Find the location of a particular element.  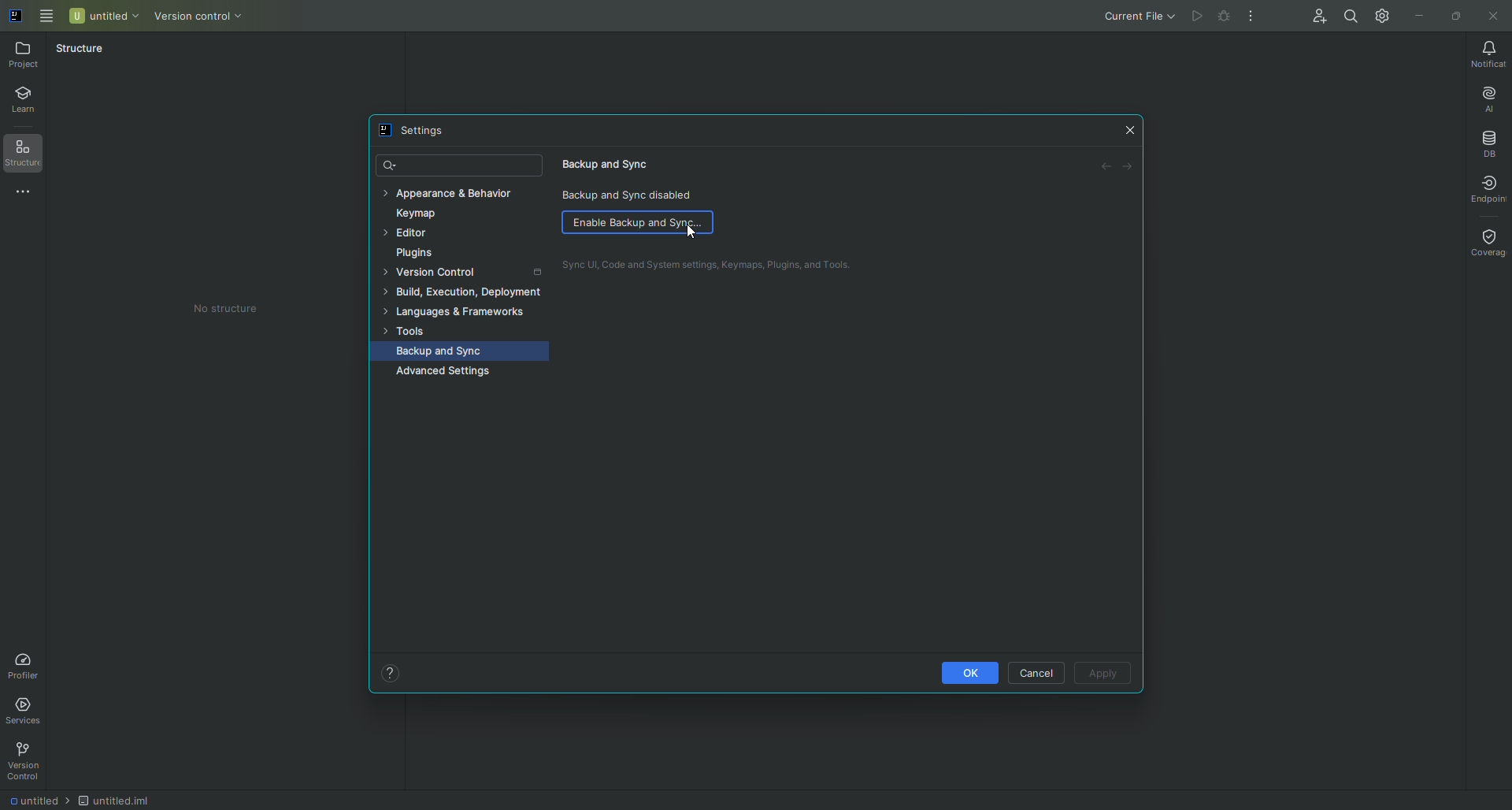

Settings is located at coordinates (416, 132).